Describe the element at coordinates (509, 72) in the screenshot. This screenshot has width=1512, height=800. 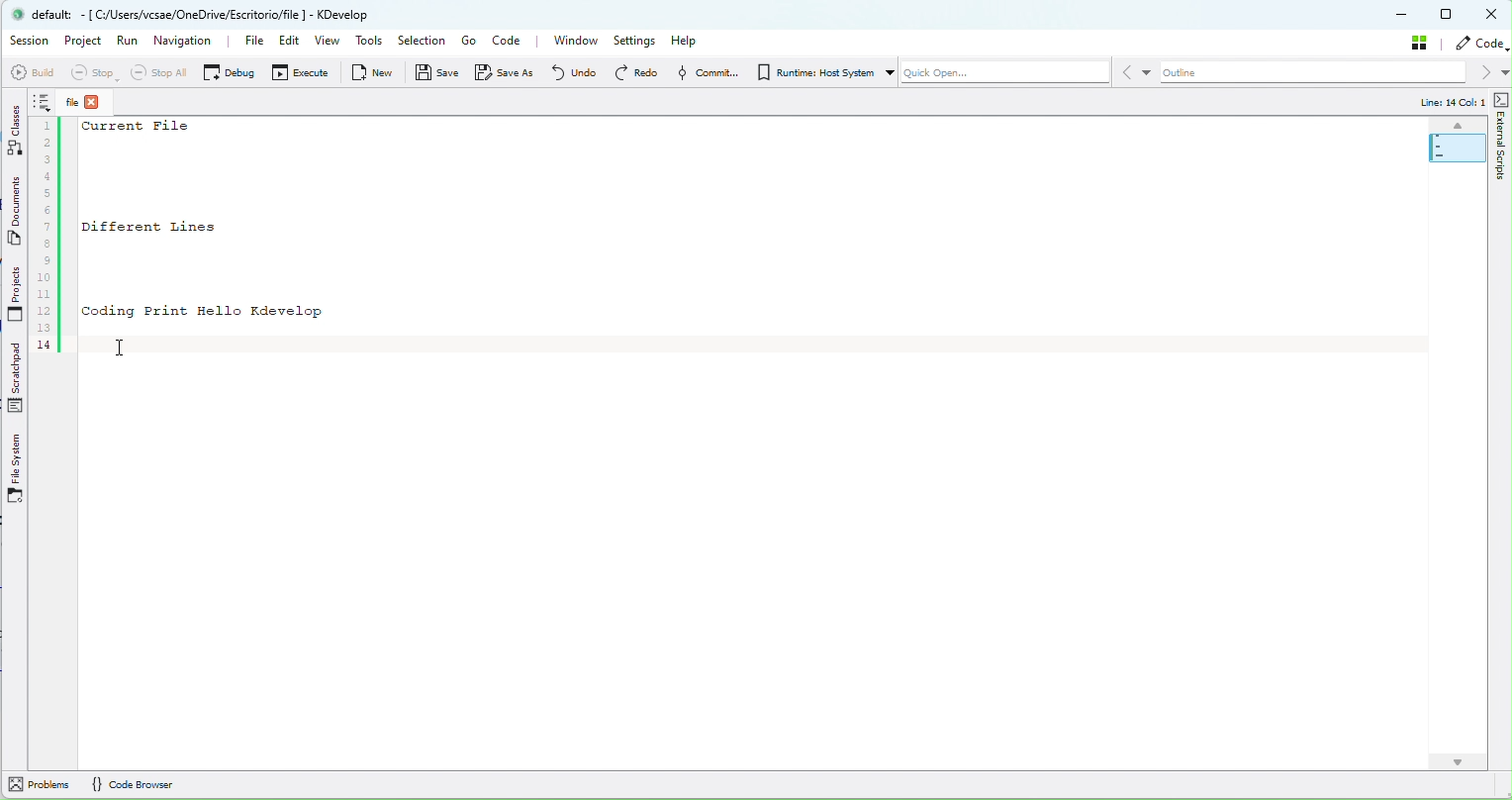
I see `Save as` at that location.